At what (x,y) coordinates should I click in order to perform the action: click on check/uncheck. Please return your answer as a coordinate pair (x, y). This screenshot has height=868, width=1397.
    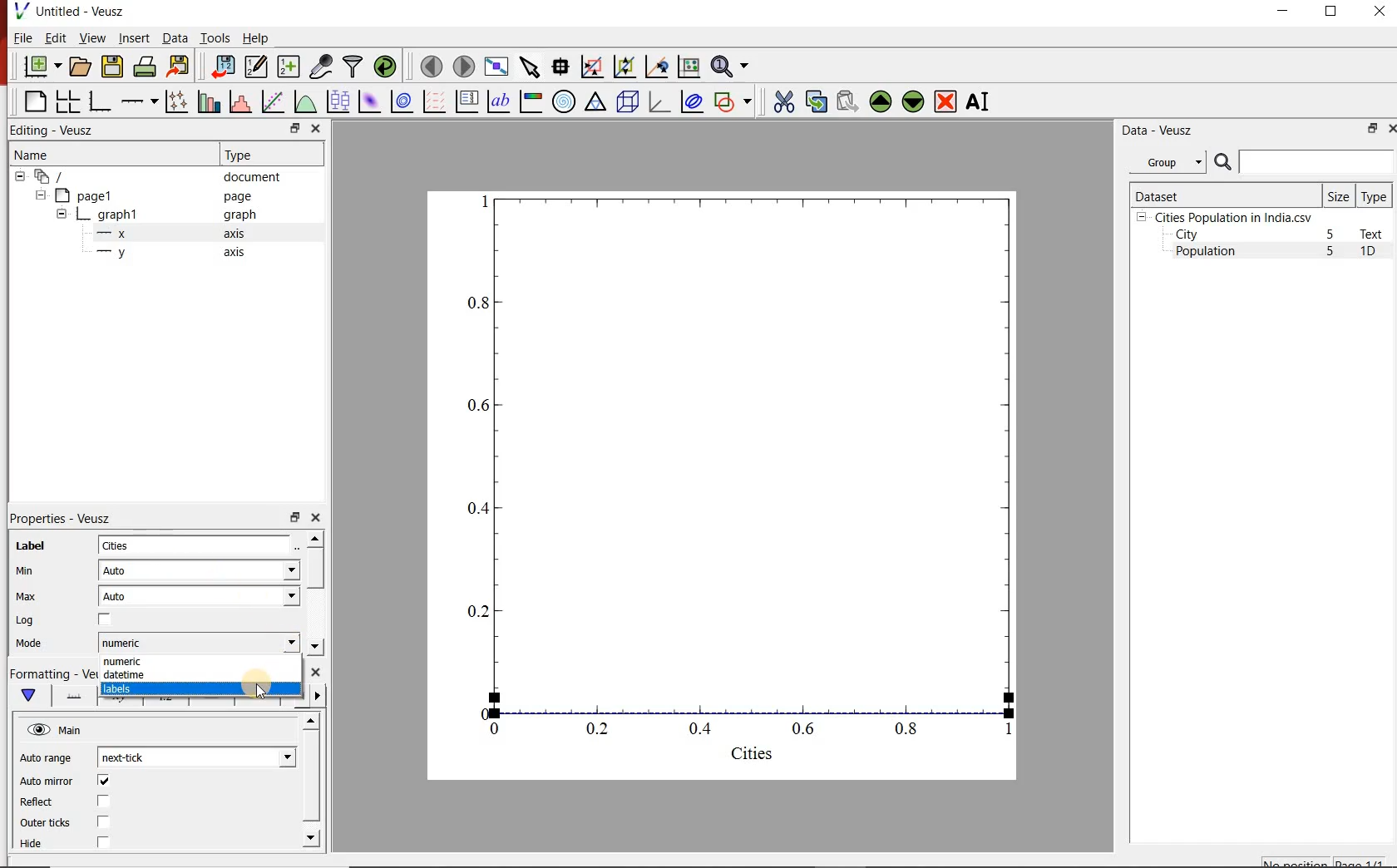
    Looking at the image, I should click on (105, 619).